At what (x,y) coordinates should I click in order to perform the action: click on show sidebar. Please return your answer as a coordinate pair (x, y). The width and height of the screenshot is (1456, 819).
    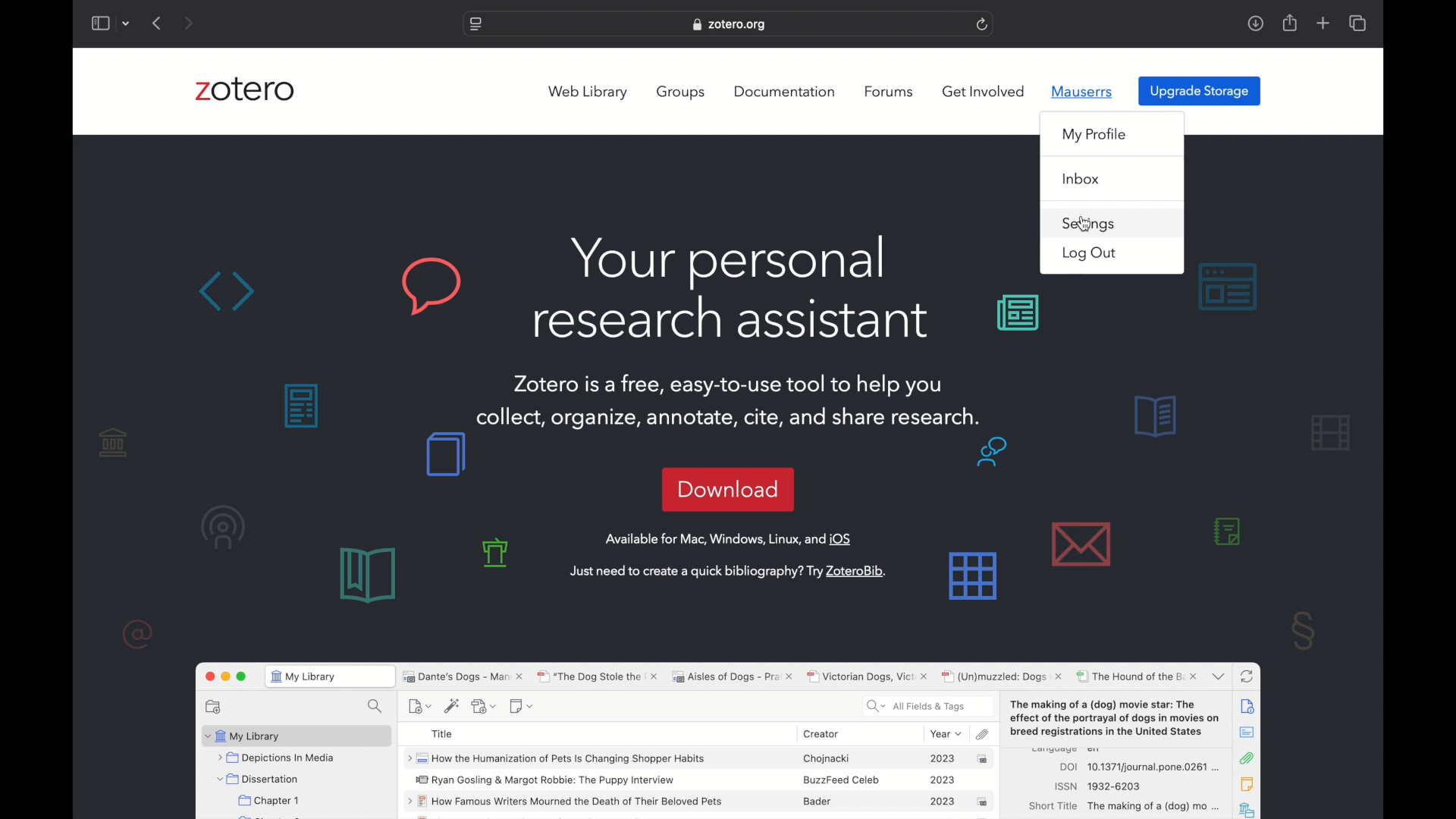
    Looking at the image, I should click on (101, 23).